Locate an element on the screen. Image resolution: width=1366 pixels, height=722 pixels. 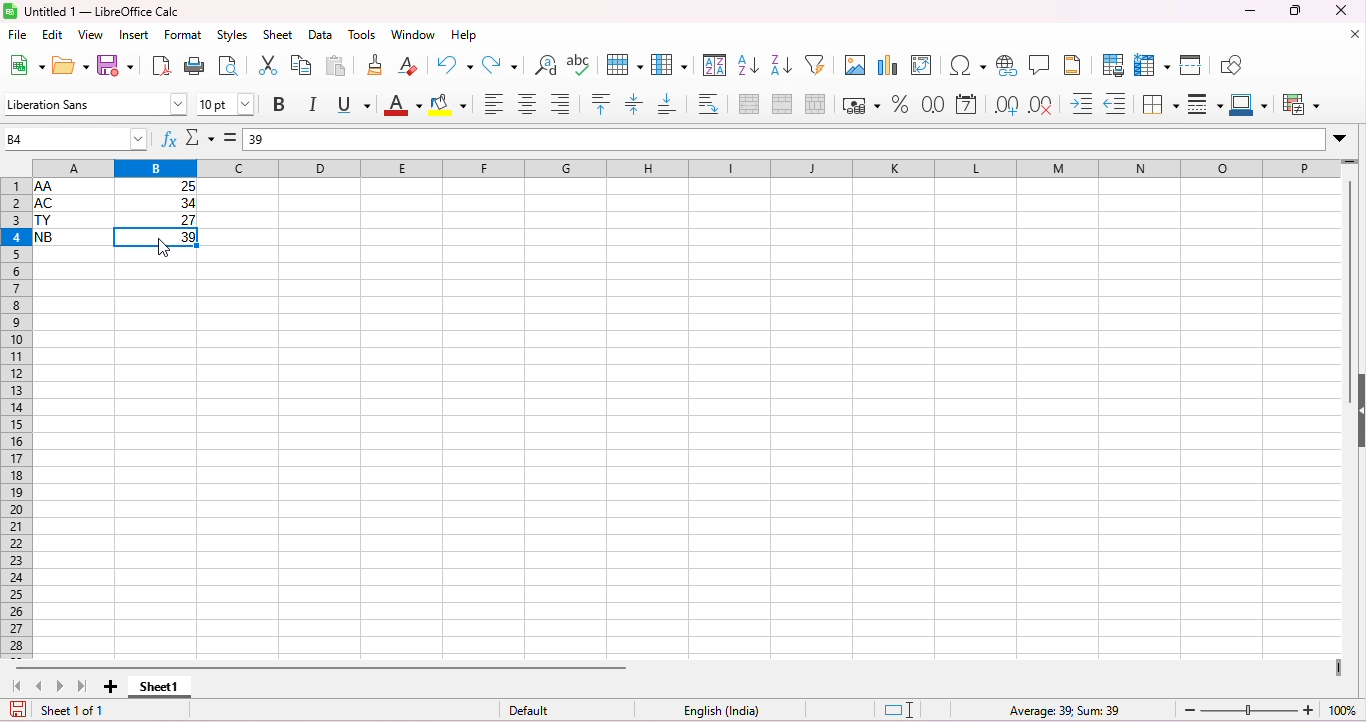
header and footer is located at coordinates (1074, 64).